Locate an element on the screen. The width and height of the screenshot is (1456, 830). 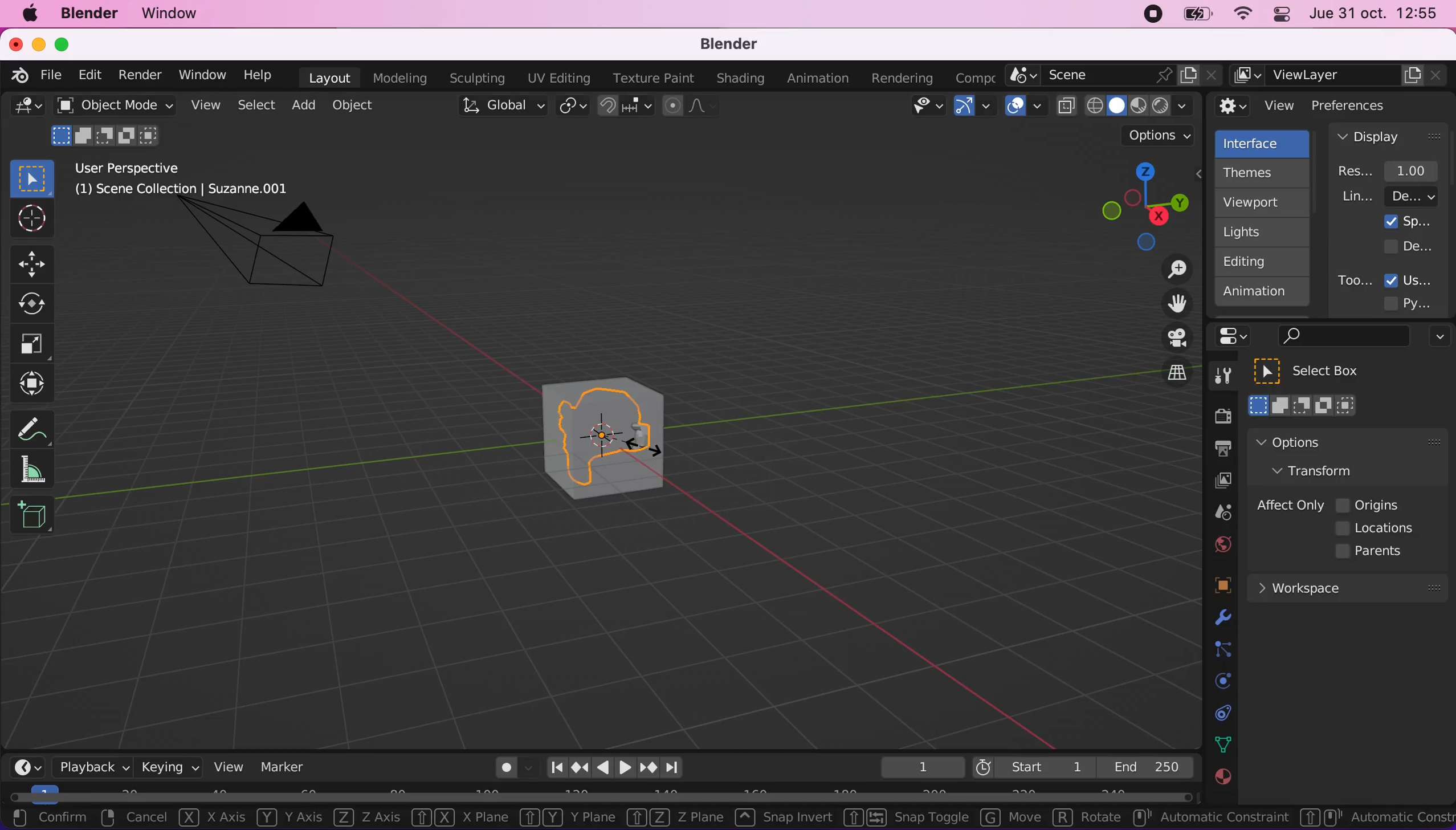
suzanne is located at coordinates (608, 438).